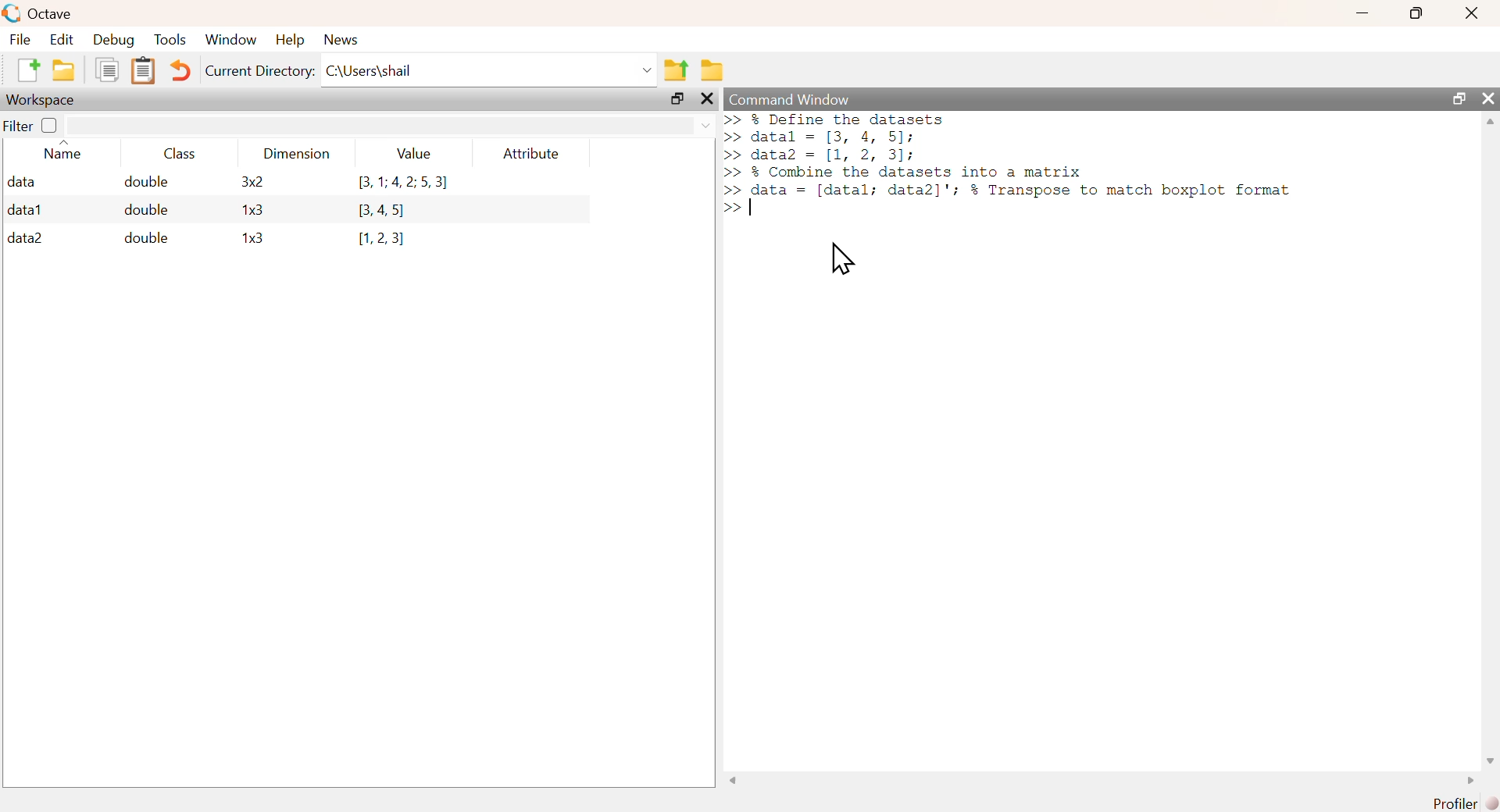 This screenshot has width=1500, height=812. I want to click on Name, so click(64, 152).